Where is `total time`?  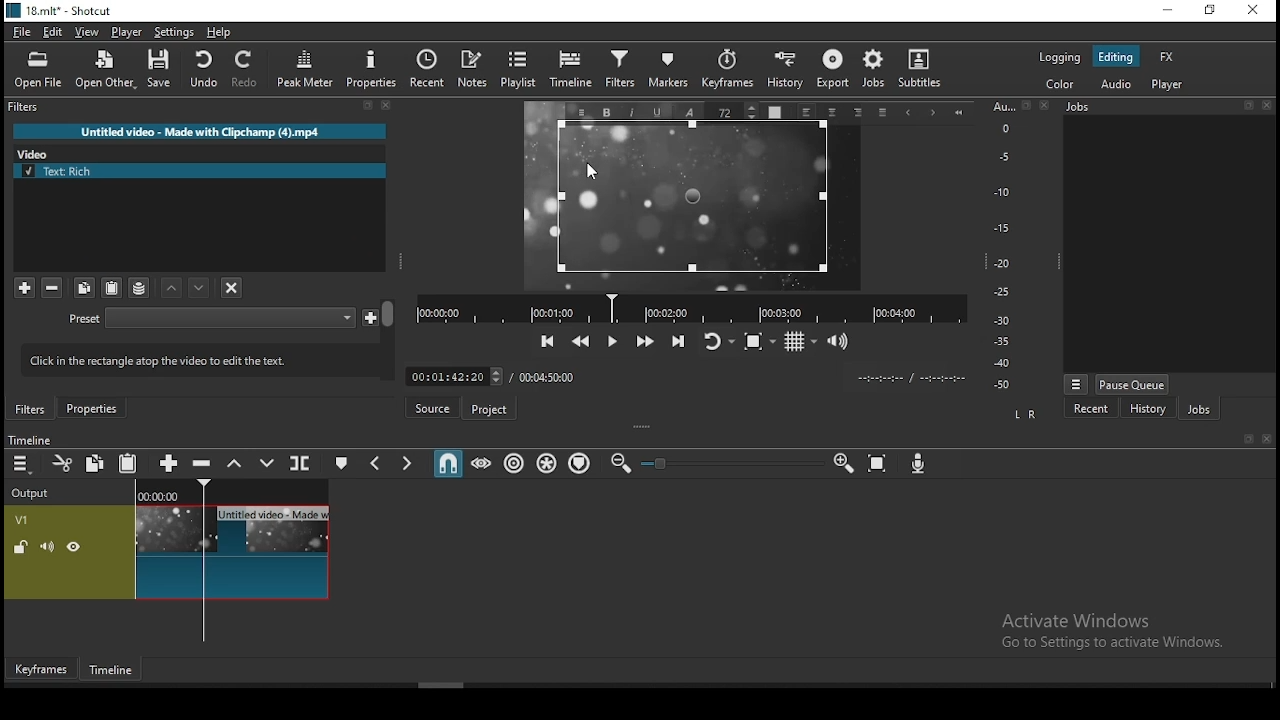 total time is located at coordinates (550, 376).